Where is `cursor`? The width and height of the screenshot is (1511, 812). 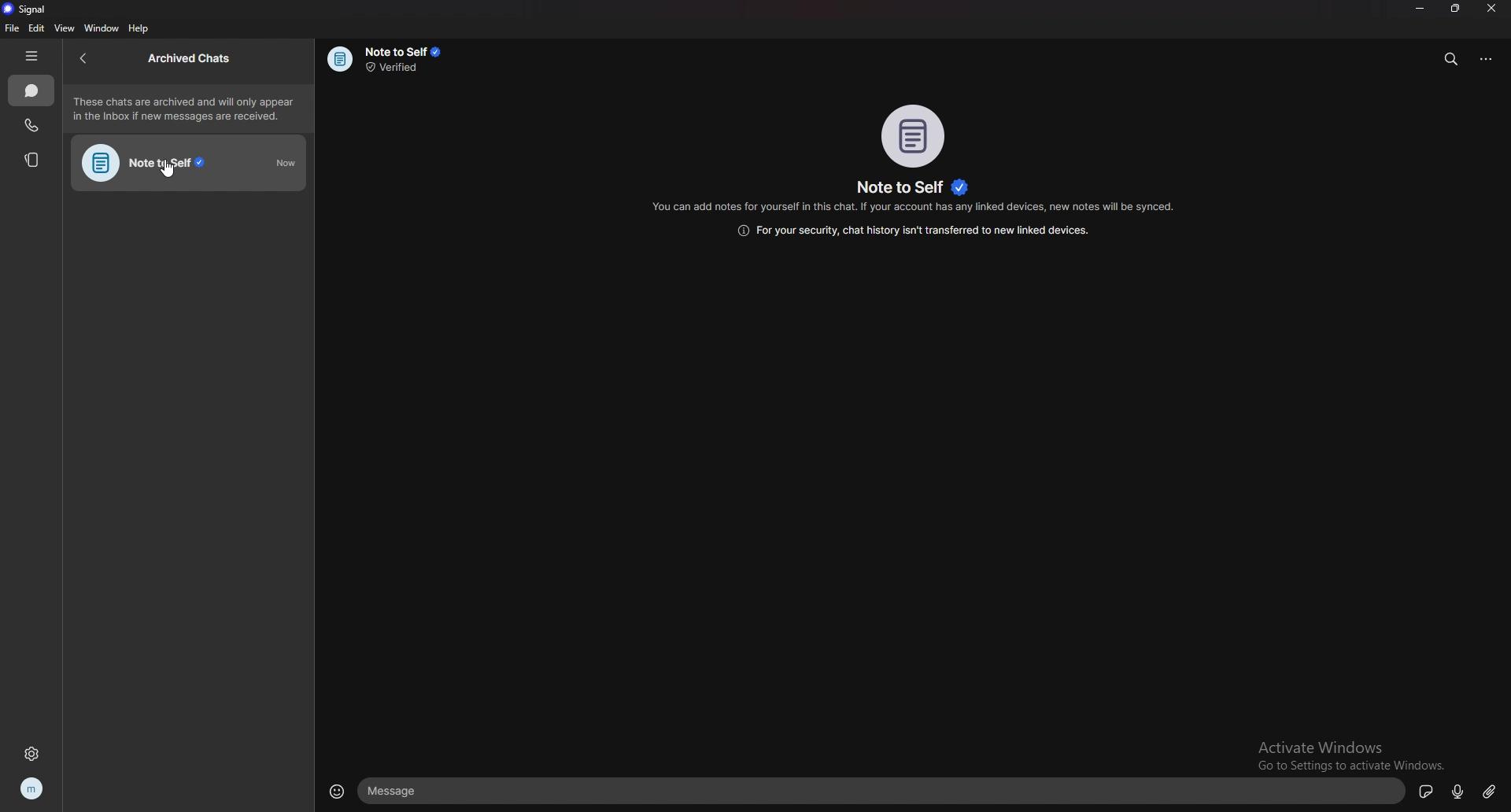 cursor is located at coordinates (171, 172).